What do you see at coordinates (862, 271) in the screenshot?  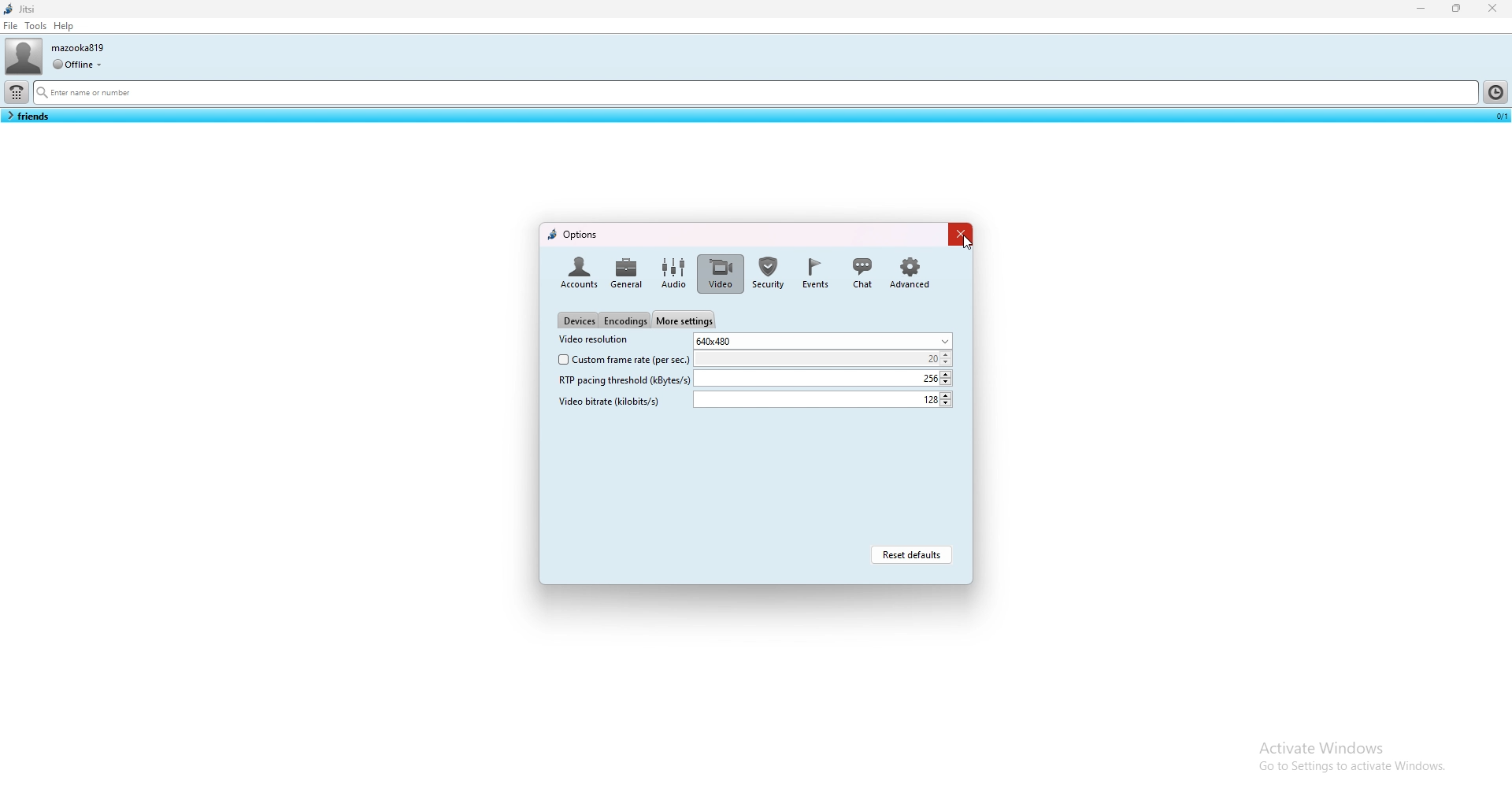 I see `chat` at bounding box center [862, 271].